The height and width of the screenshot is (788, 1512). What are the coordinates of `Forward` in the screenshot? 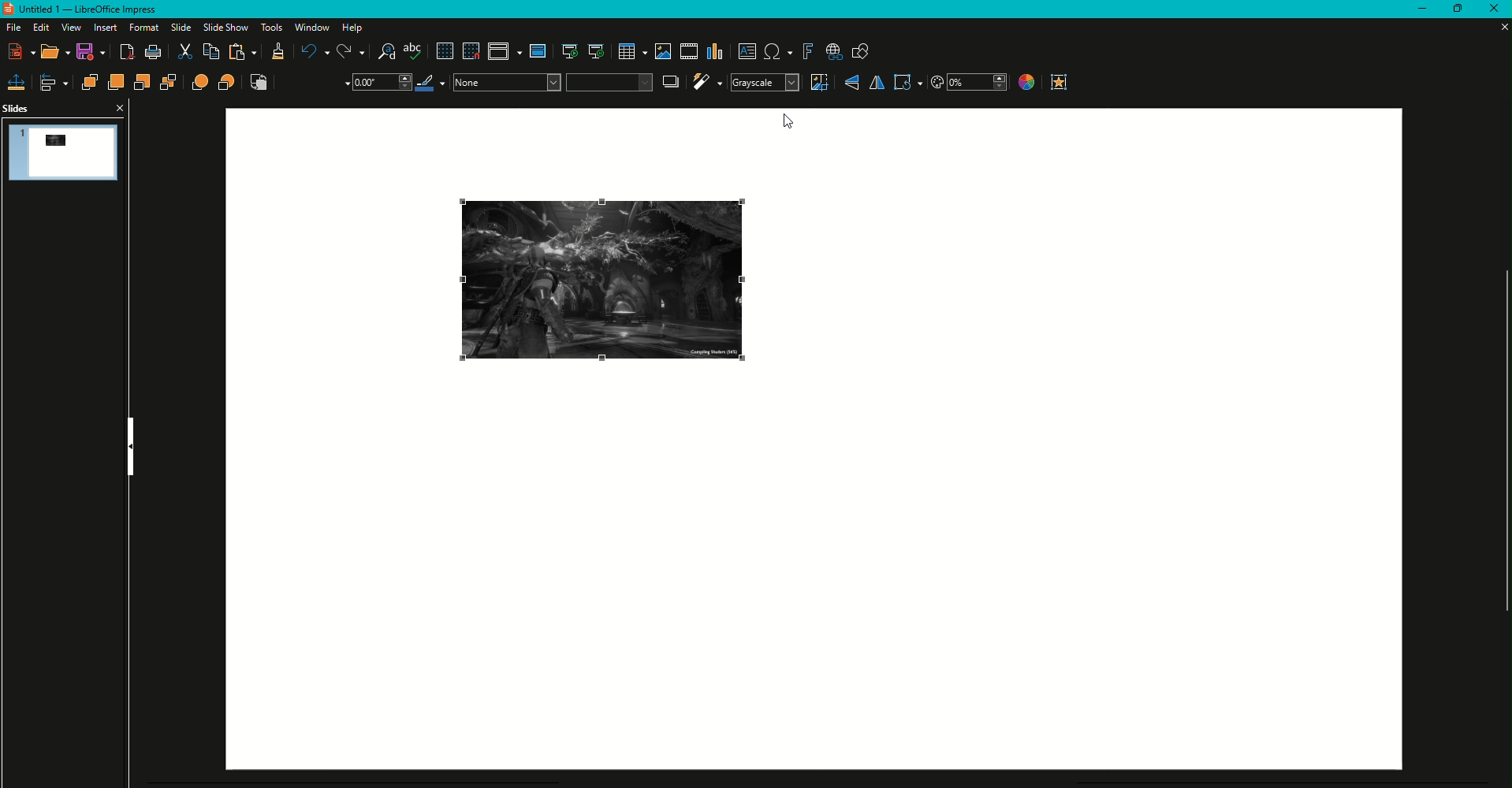 It's located at (115, 82).